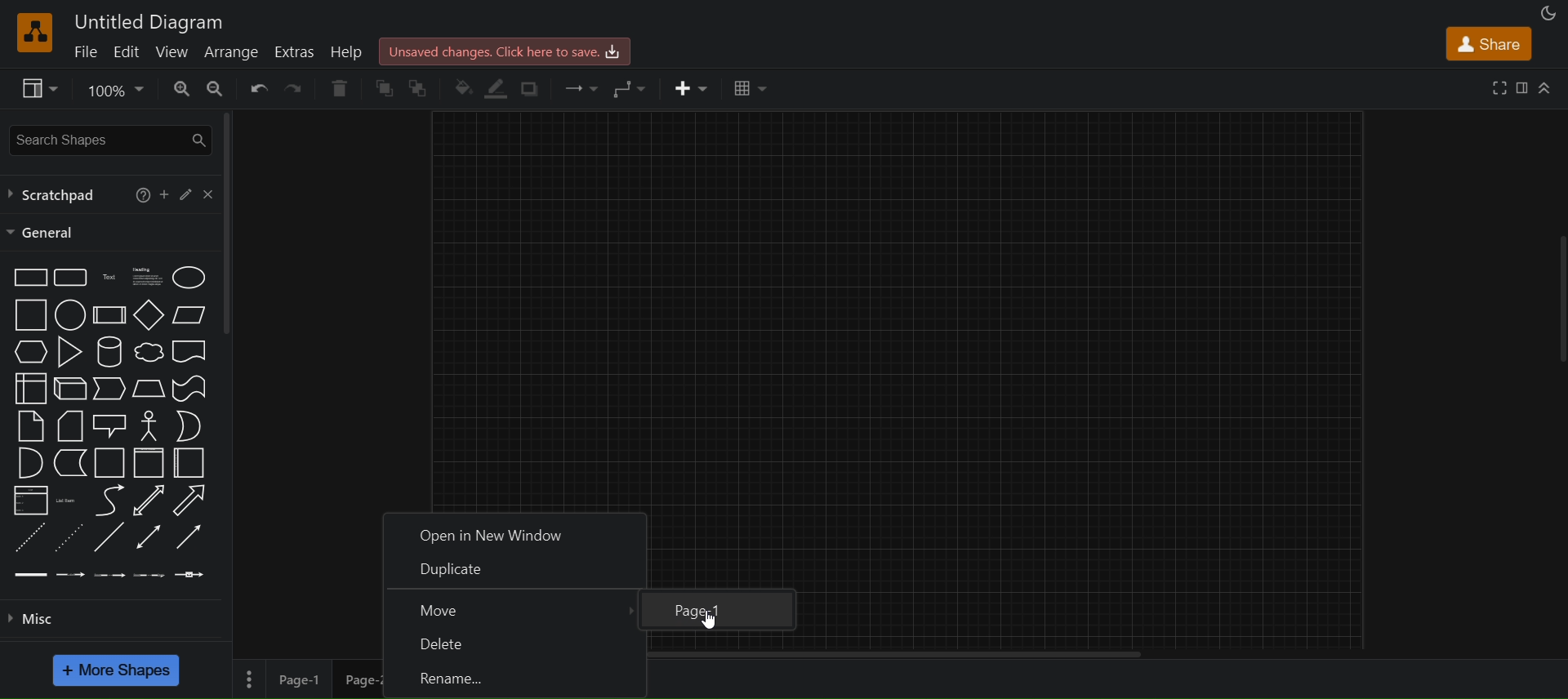 This screenshot has width=1568, height=699. What do you see at coordinates (1546, 86) in the screenshot?
I see `collapse/expand` at bounding box center [1546, 86].